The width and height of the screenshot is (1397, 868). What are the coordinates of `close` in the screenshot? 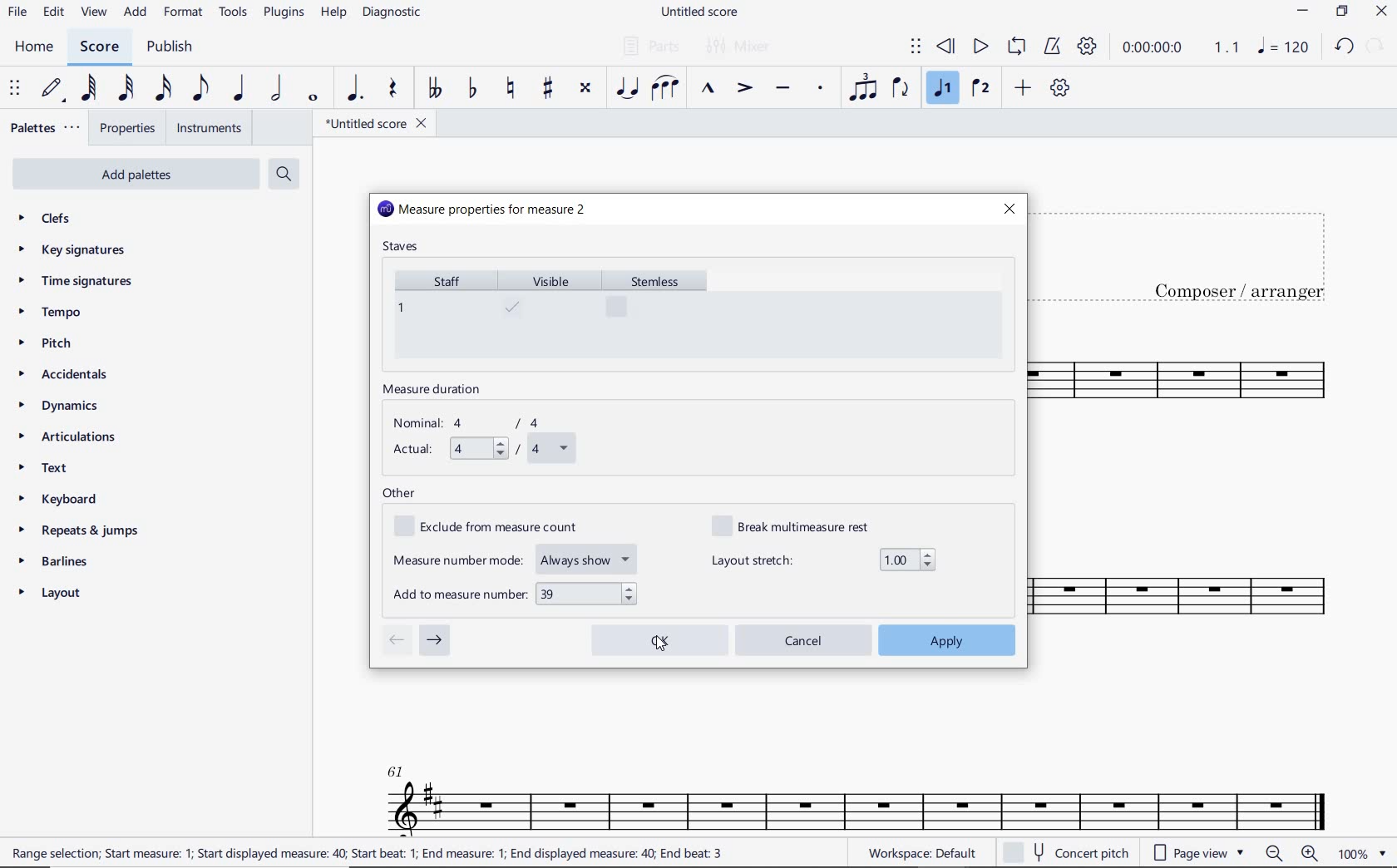 It's located at (1009, 209).